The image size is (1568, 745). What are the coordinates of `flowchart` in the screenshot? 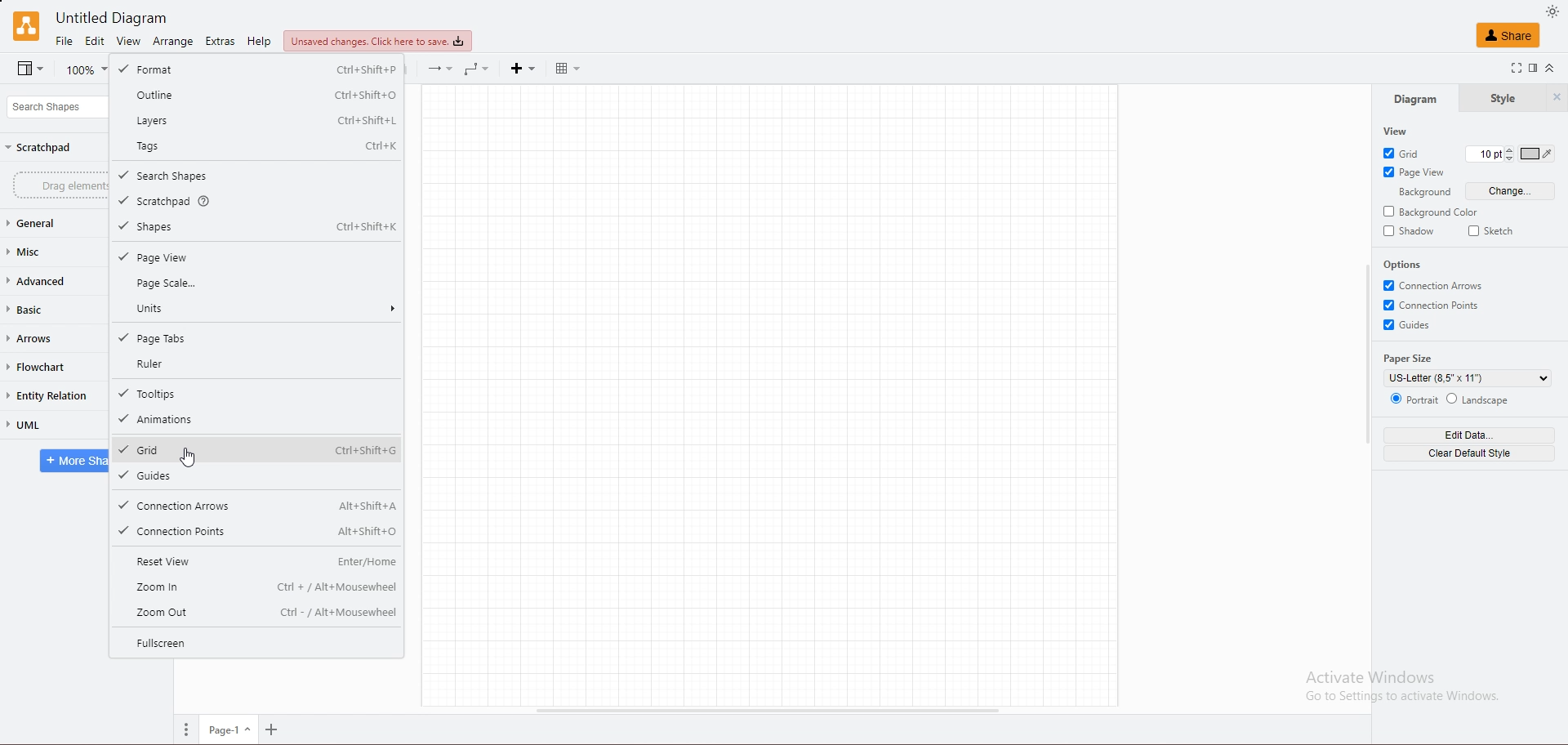 It's located at (53, 366).